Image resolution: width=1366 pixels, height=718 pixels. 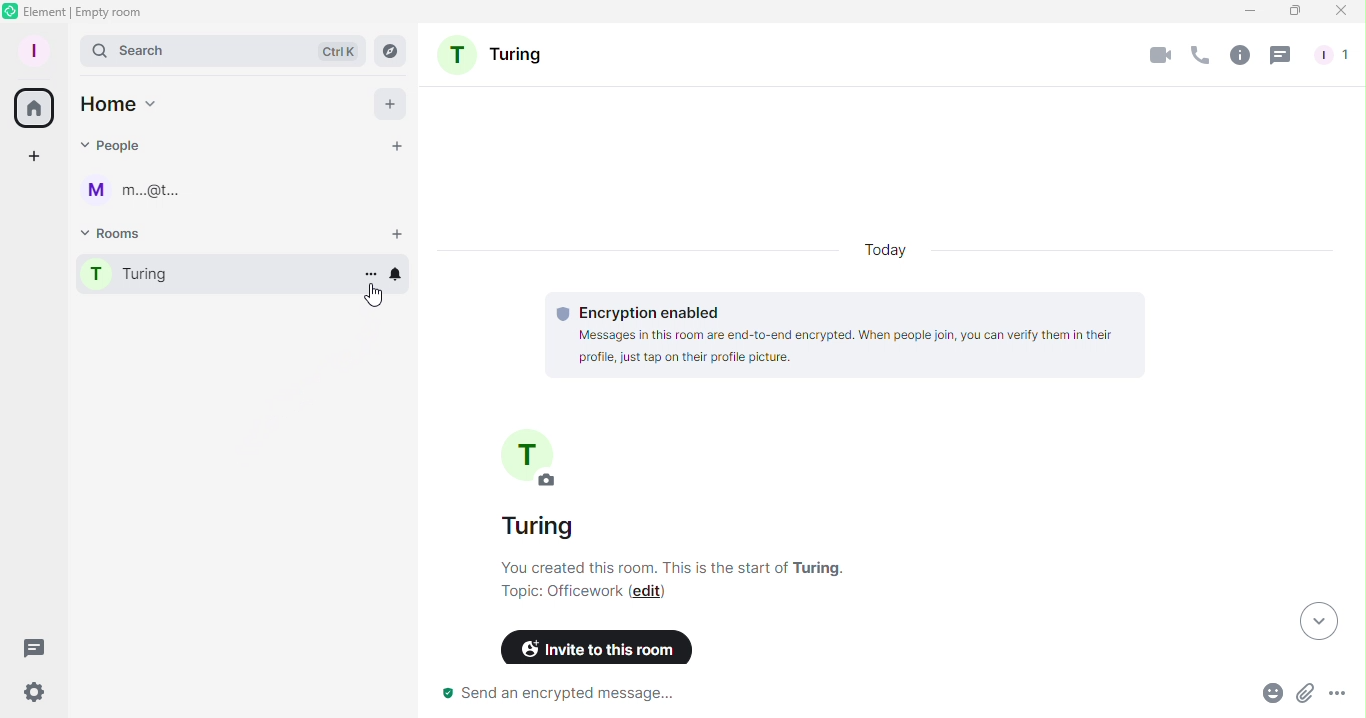 What do you see at coordinates (1248, 16) in the screenshot?
I see `Minimize` at bounding box center [1248, 16].